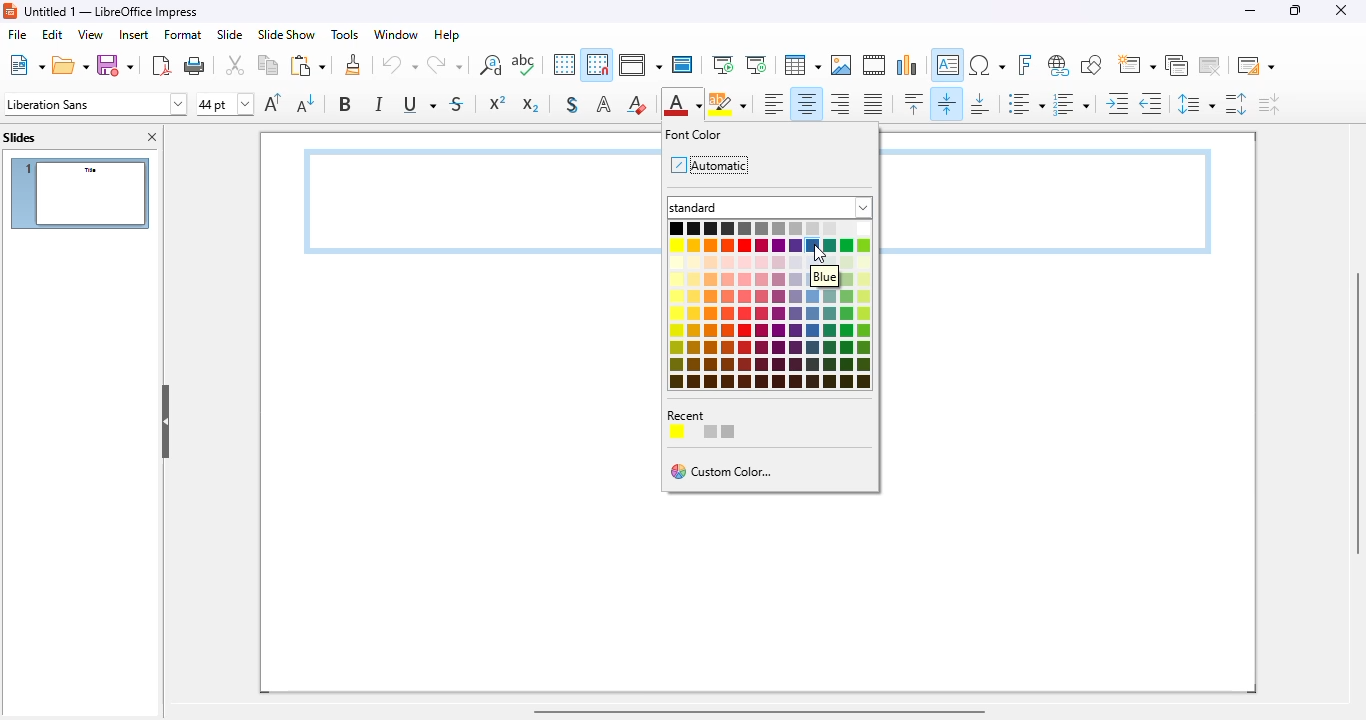 This screenshot has width=1366, height=720. Describe the element at coordinates (948, 103) in the screenshot. I see `center vertically` at that location.